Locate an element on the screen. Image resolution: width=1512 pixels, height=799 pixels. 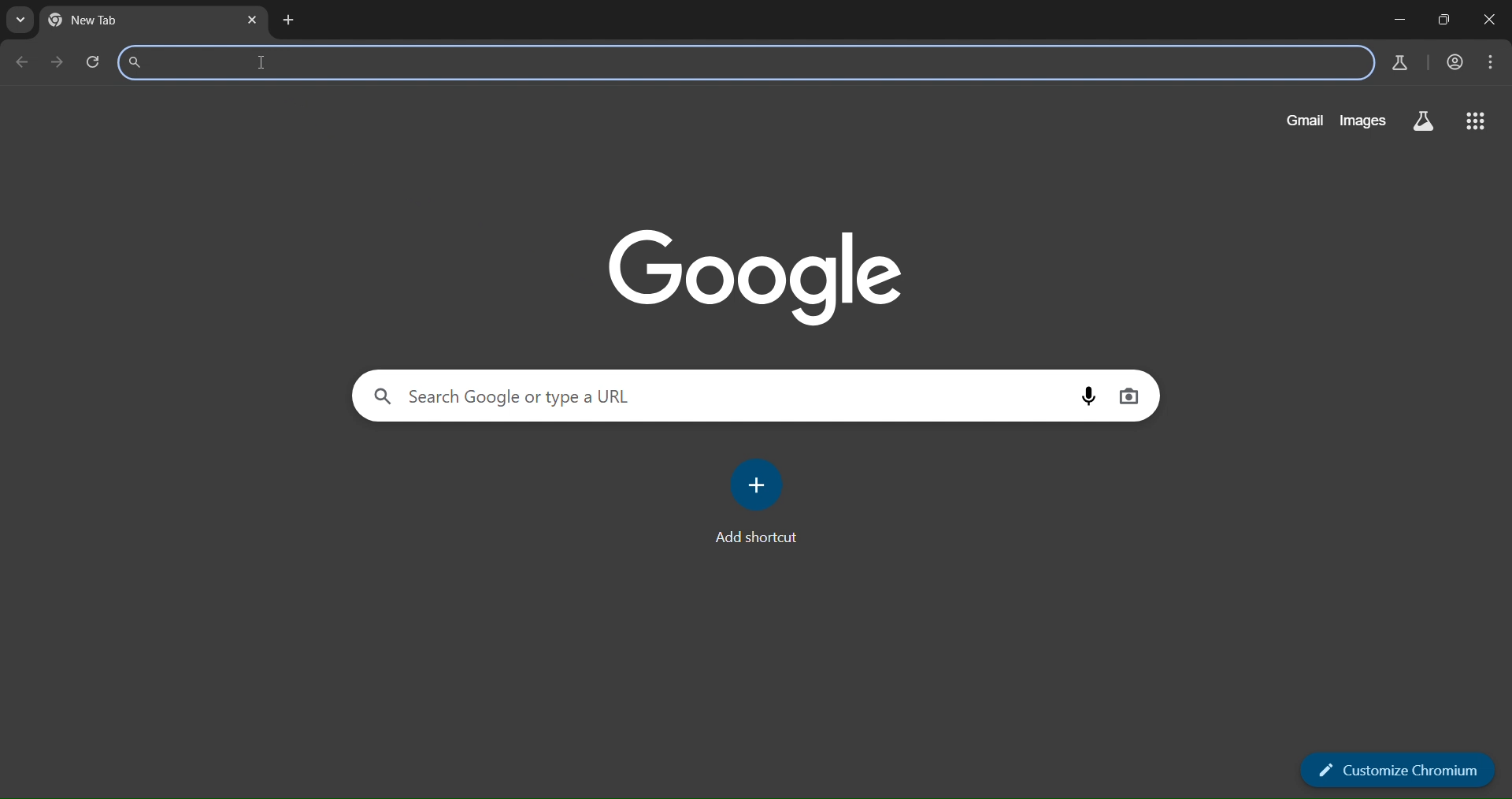
go back one page is located at coordinates (24, 61).